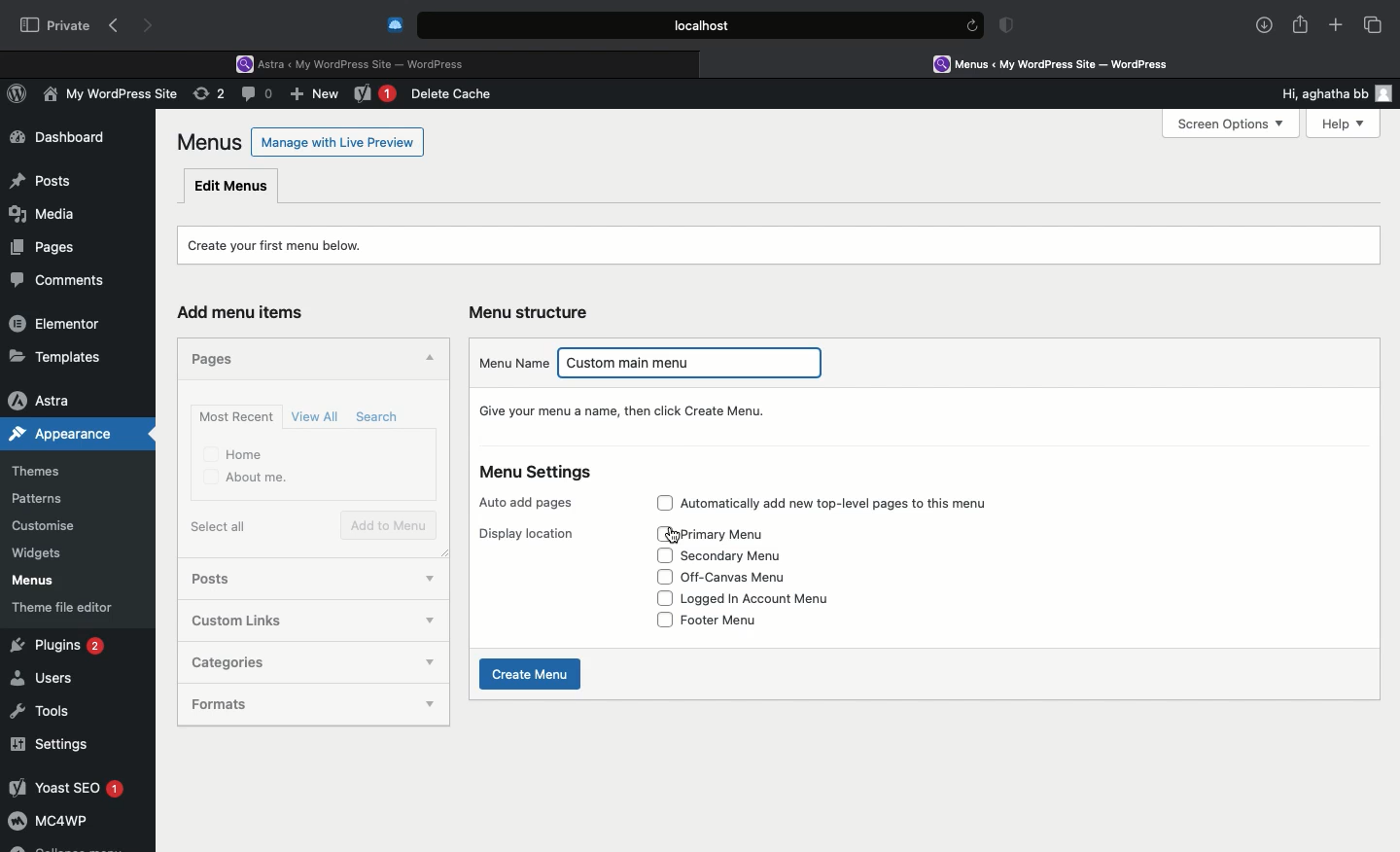  What do you see at coordinates (39, 246) in the screenshot?
I see `Pages` at bounding box center [39, 246].